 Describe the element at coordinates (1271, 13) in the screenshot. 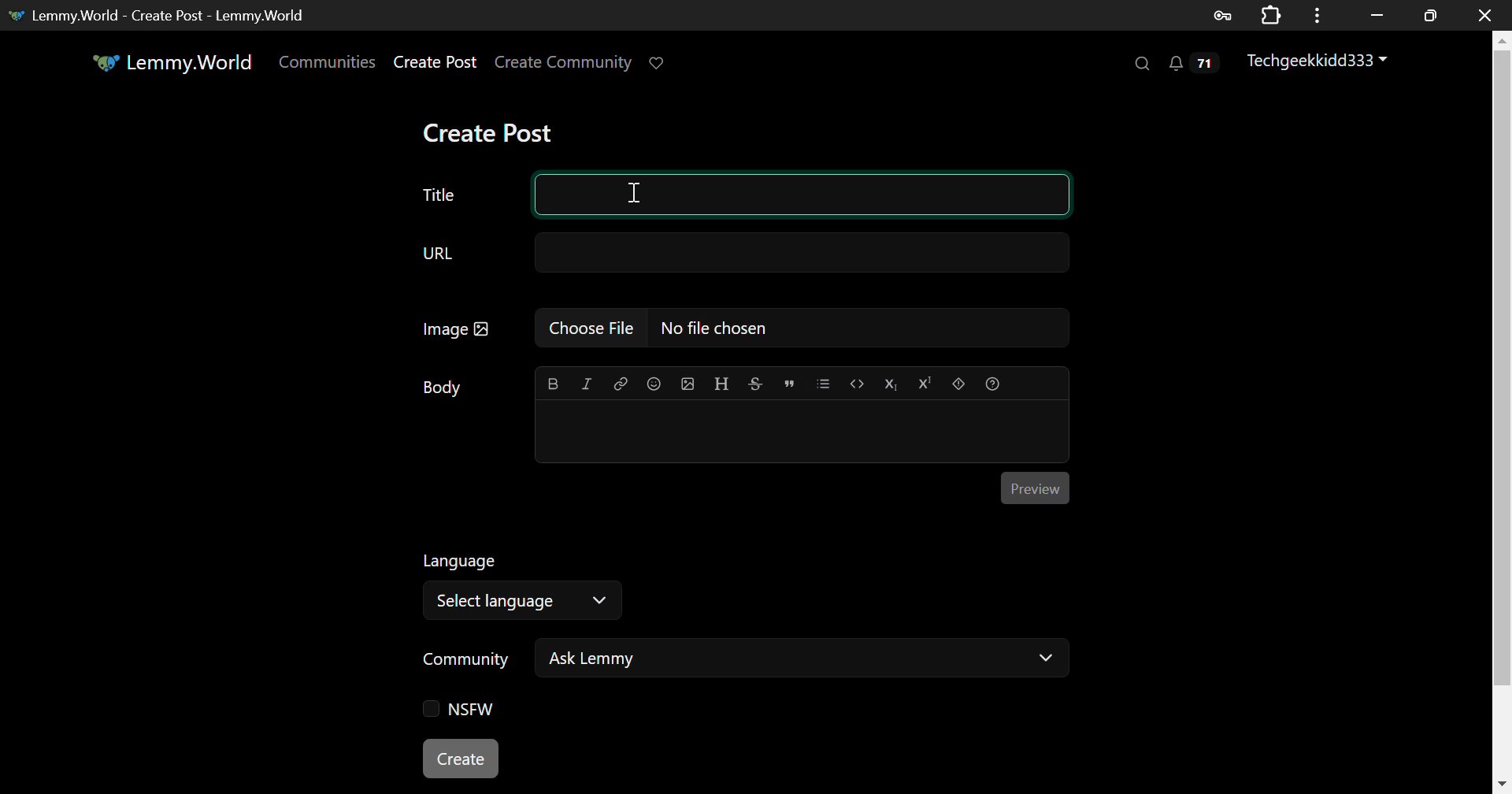

I see `Extensions` at that location.